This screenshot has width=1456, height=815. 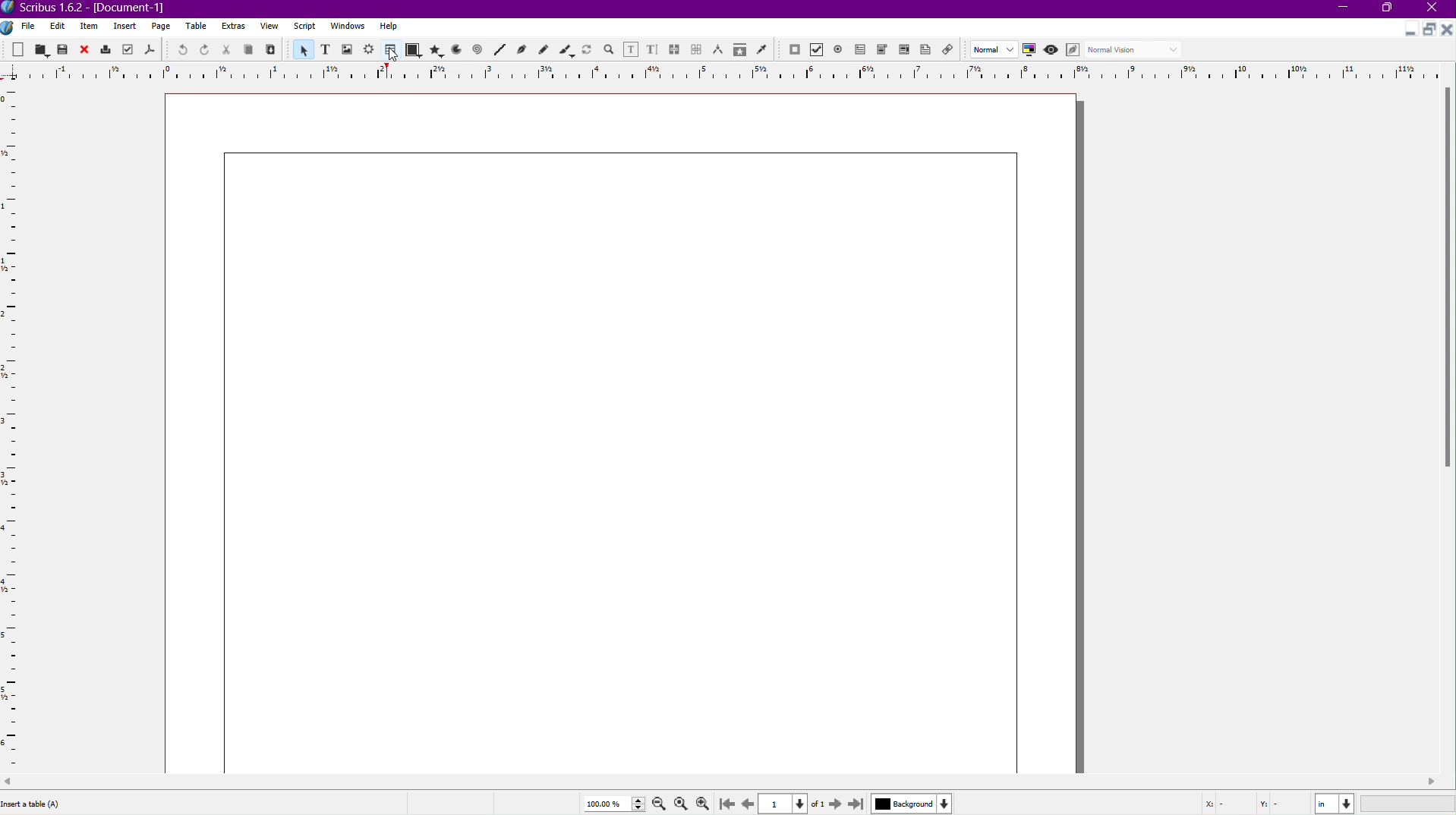 I want to click on Close, so click(x=1447, y=30).